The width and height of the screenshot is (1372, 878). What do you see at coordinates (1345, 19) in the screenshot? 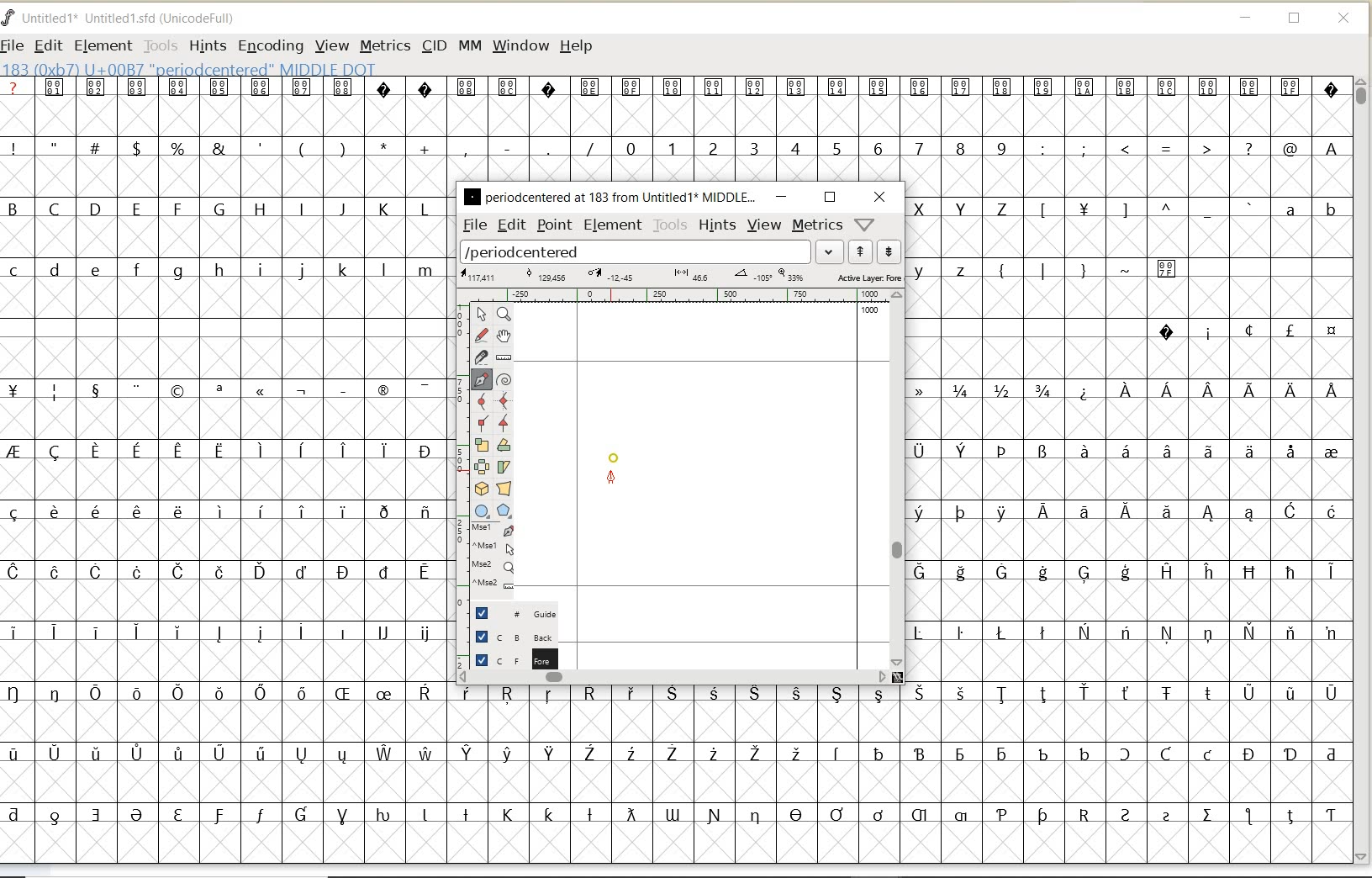
I see `CLOSE` at bounding box center [1345, 19].